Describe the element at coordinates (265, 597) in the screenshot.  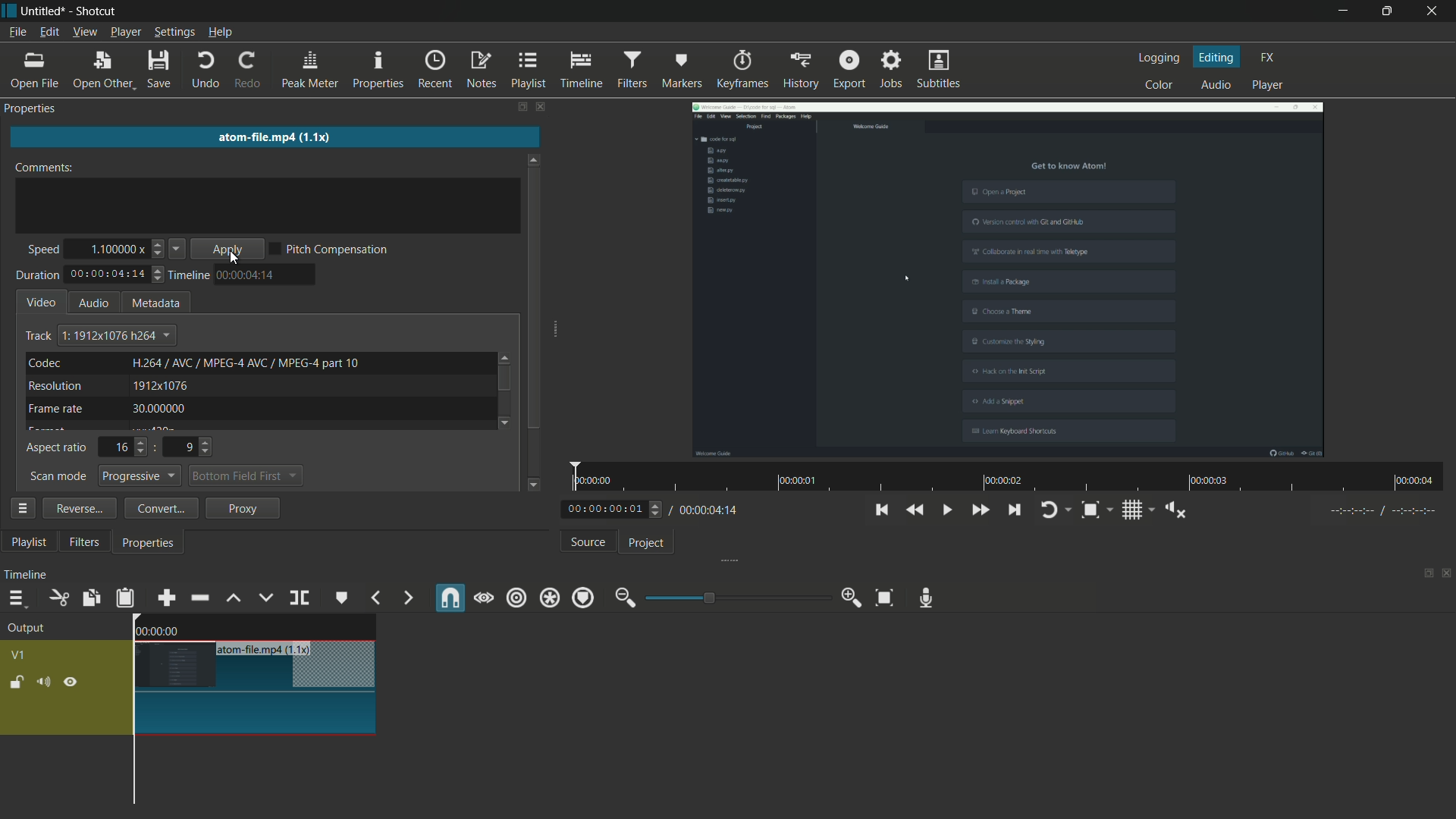
I see `overwrite` at that location.